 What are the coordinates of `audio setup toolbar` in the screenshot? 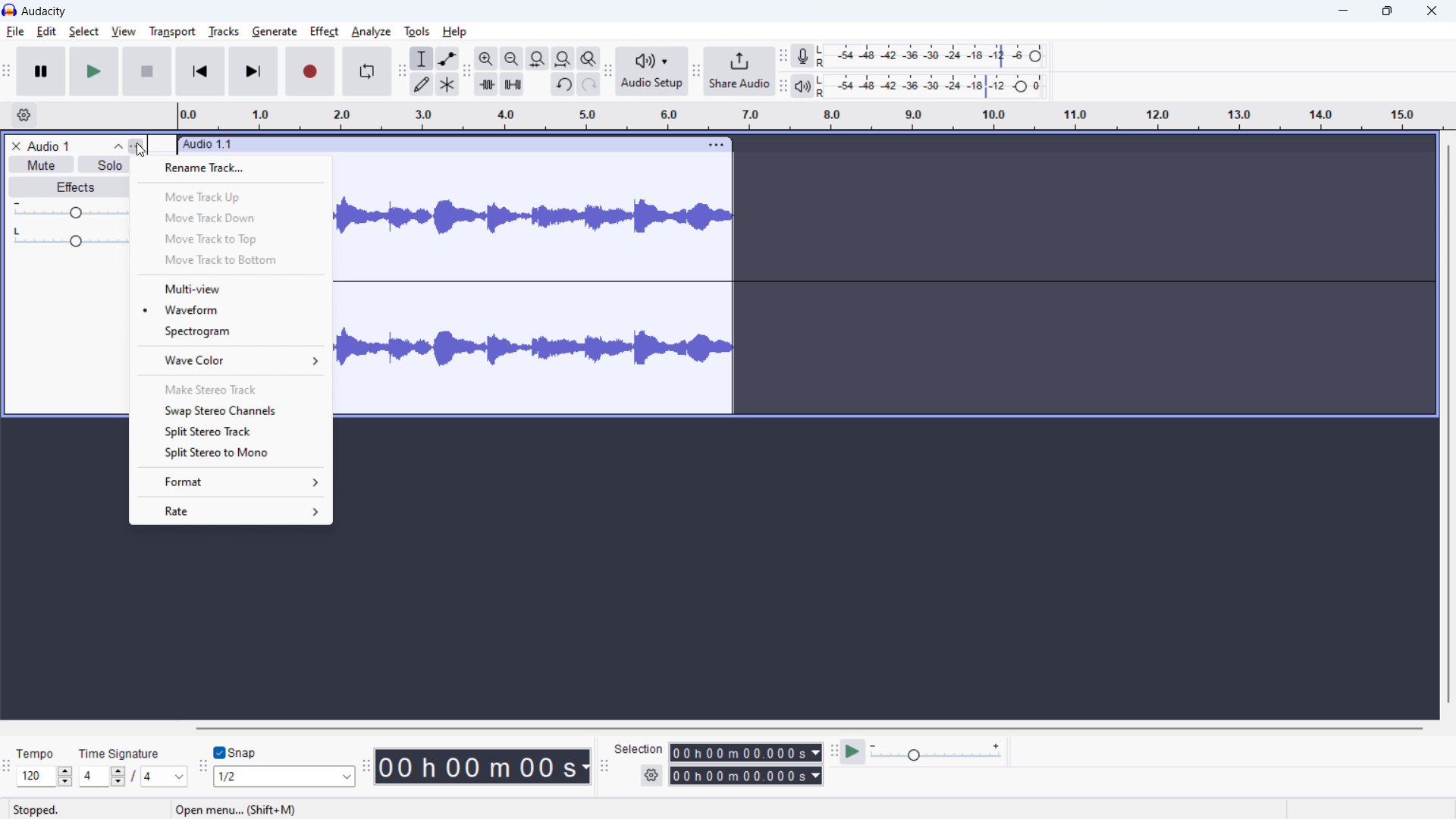 It's located at (608, 72).